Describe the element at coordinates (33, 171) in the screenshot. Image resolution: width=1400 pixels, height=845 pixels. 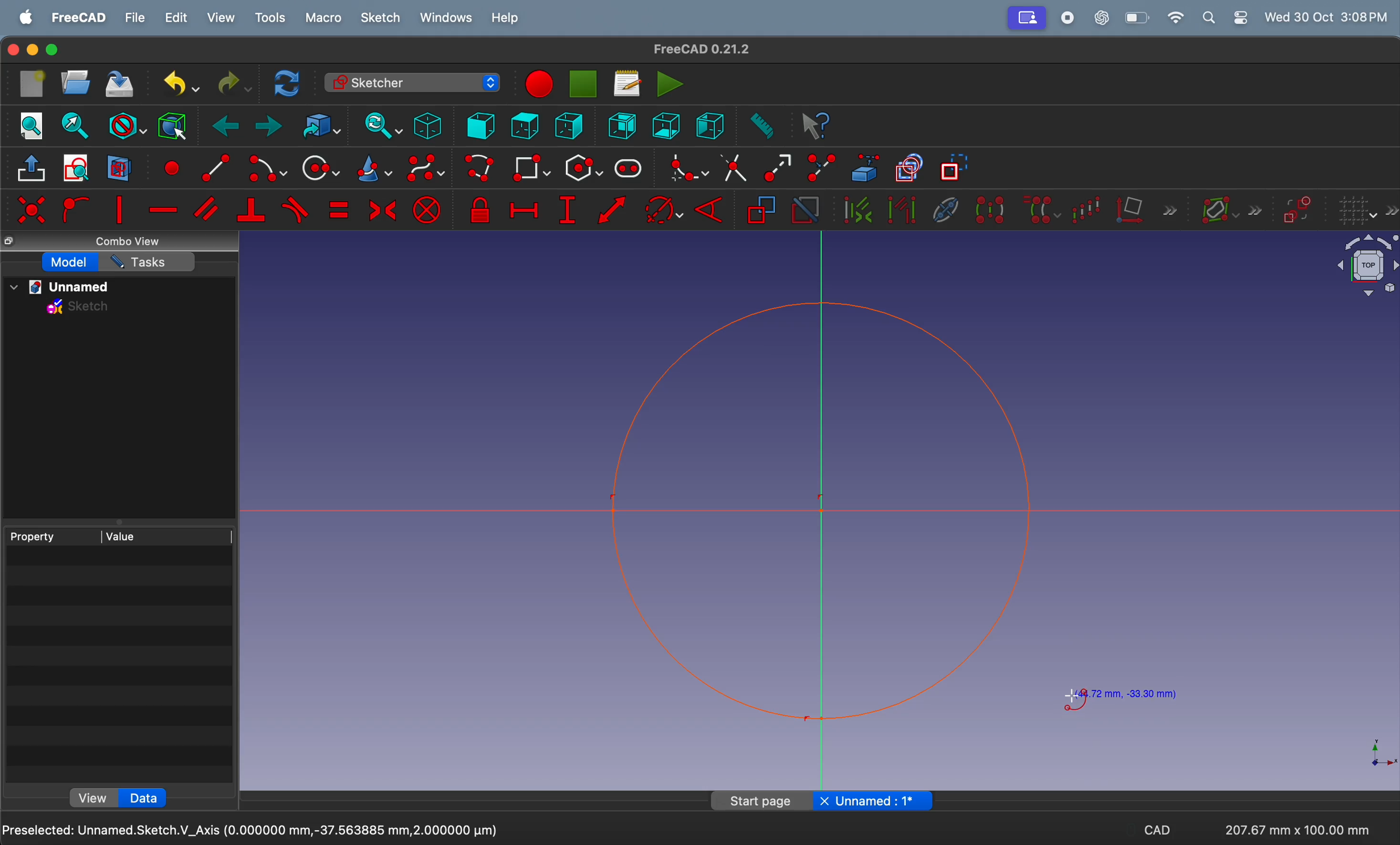
I see `leave sketch` at that location.